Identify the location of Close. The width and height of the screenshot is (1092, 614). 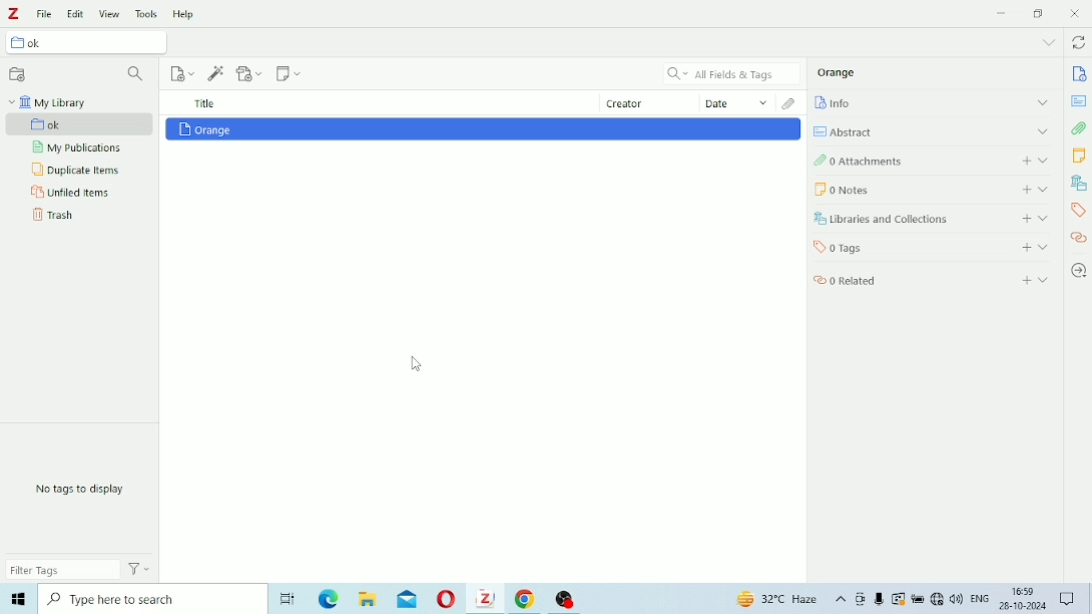
(1074, 13).